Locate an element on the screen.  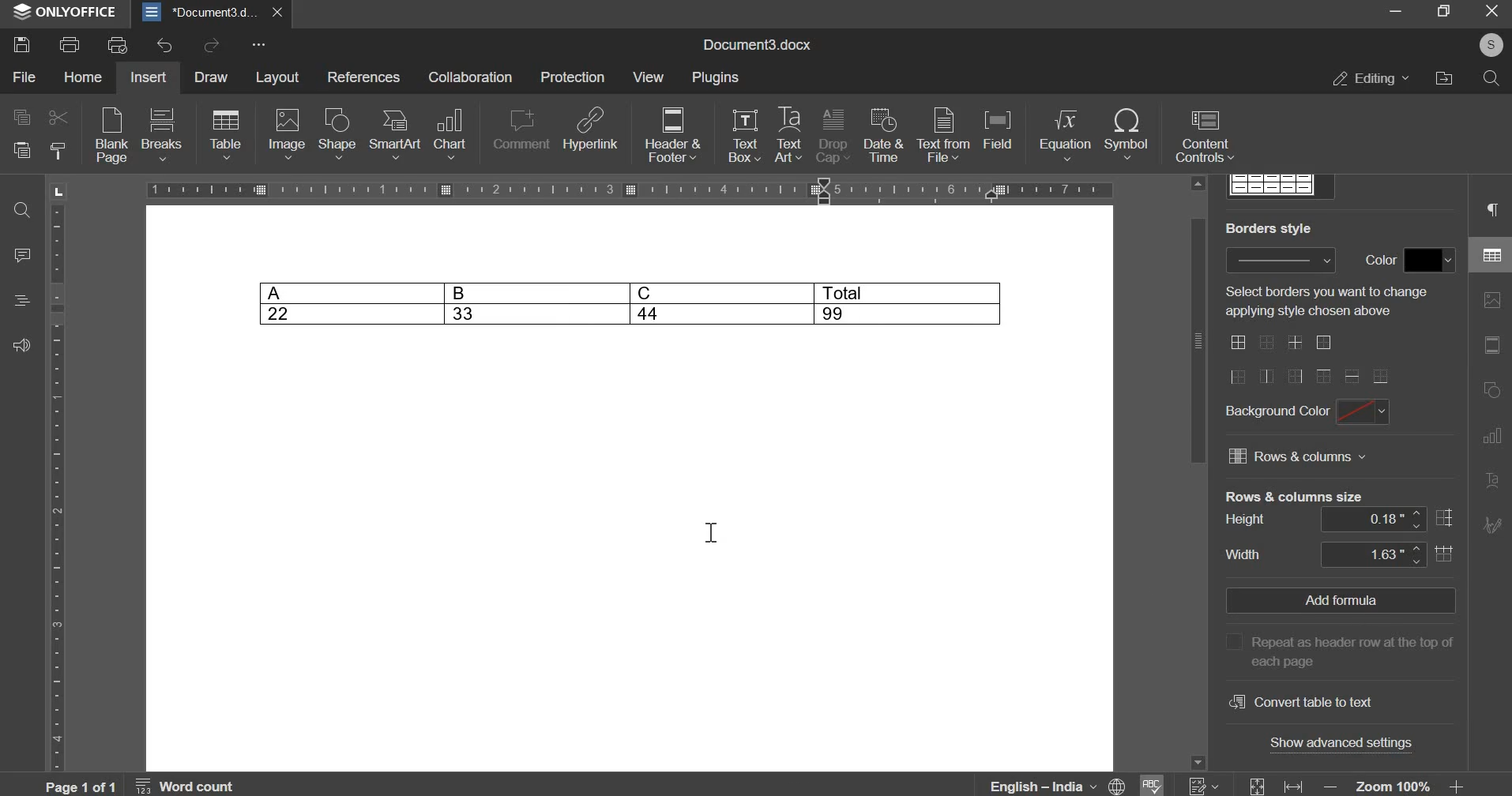
undo is located at coordinates (169, 46).